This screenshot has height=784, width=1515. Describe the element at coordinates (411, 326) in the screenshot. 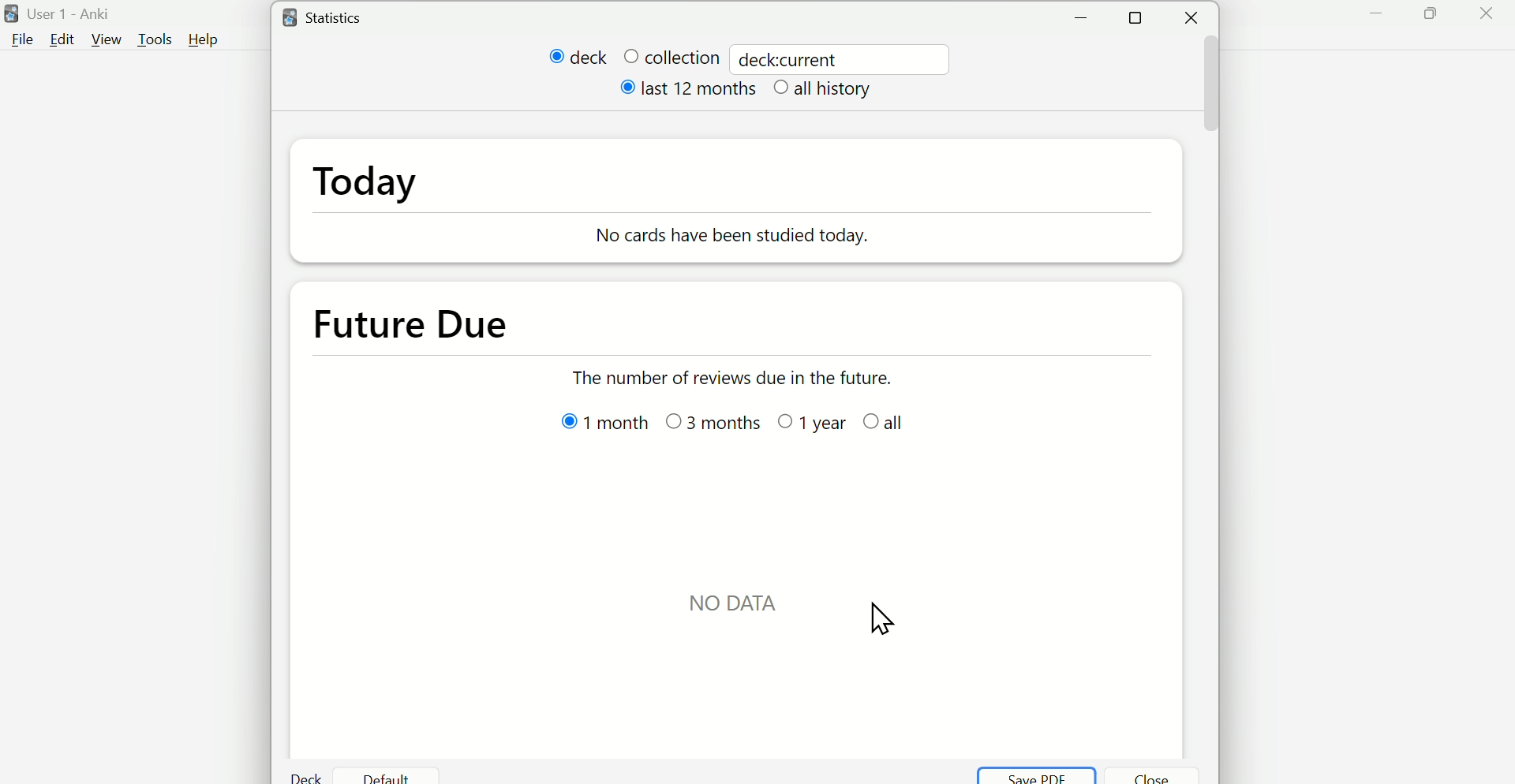

I see `Future Due` at that location.